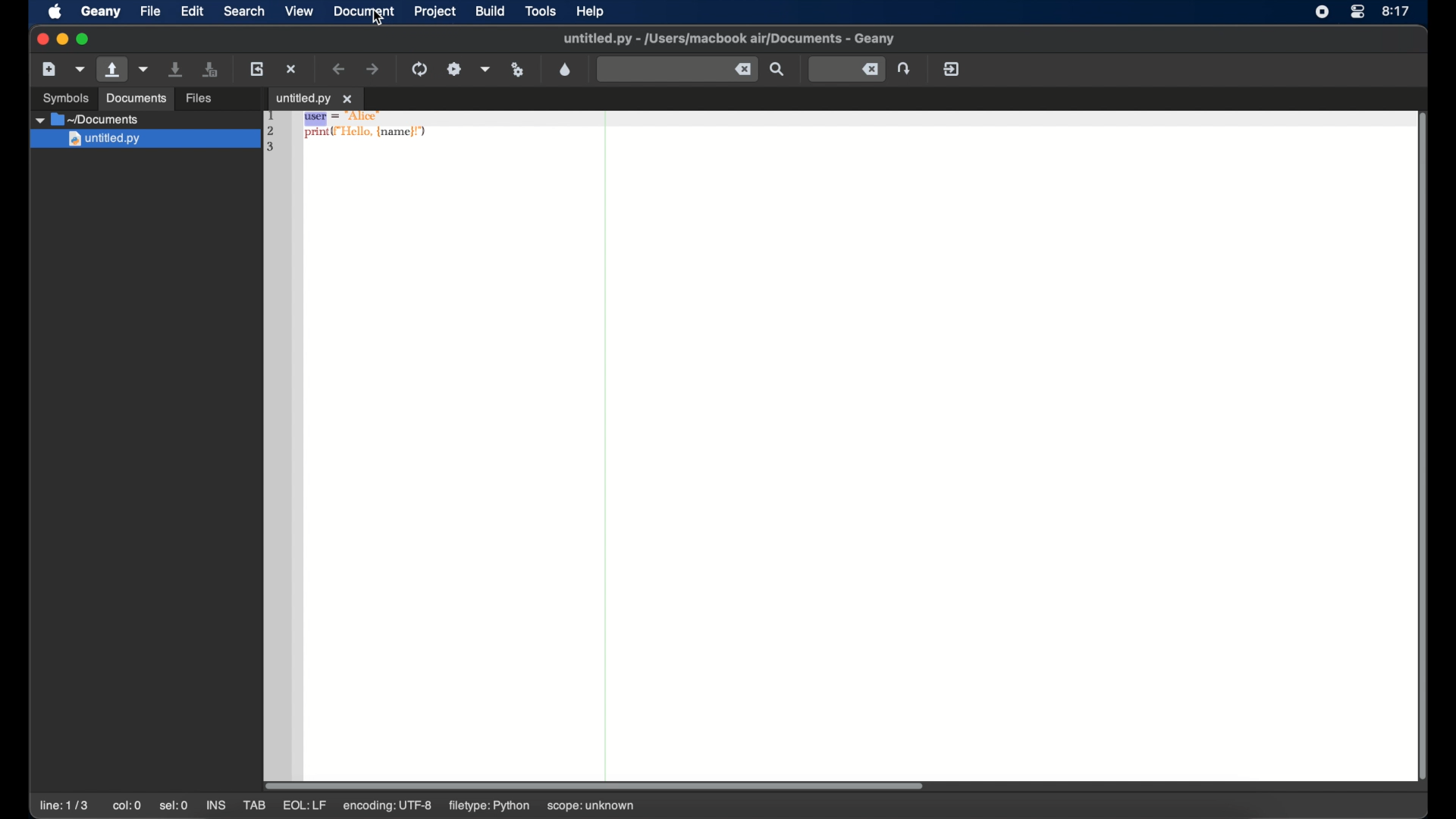 The image size is (1456, 819). What do you see at coordinates (244, 11) in the screenshot?
I see `search` at bounding box center [244, 11].